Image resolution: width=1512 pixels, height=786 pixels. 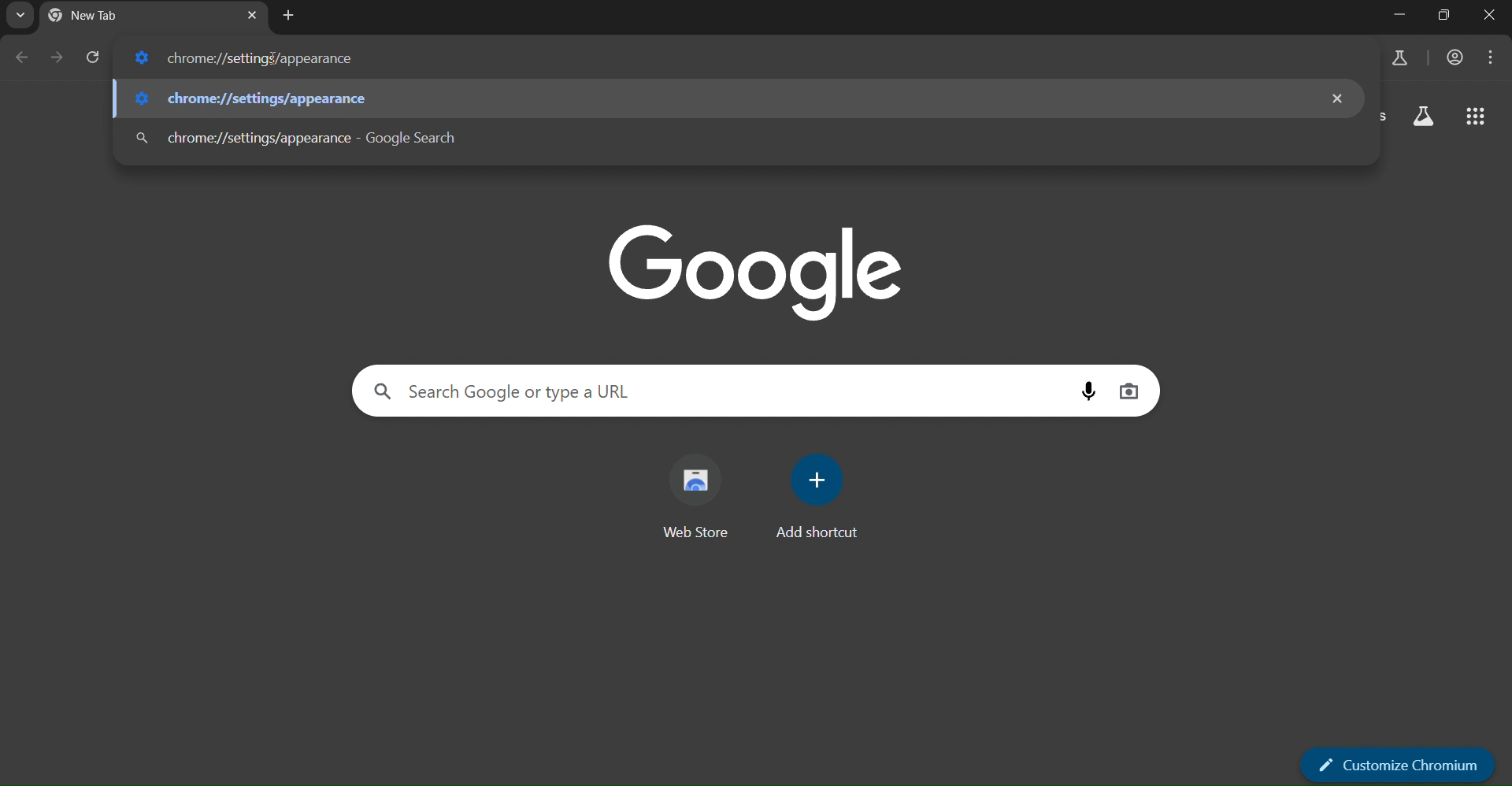 I want to click on voice search, so click(x=1084, y=390).